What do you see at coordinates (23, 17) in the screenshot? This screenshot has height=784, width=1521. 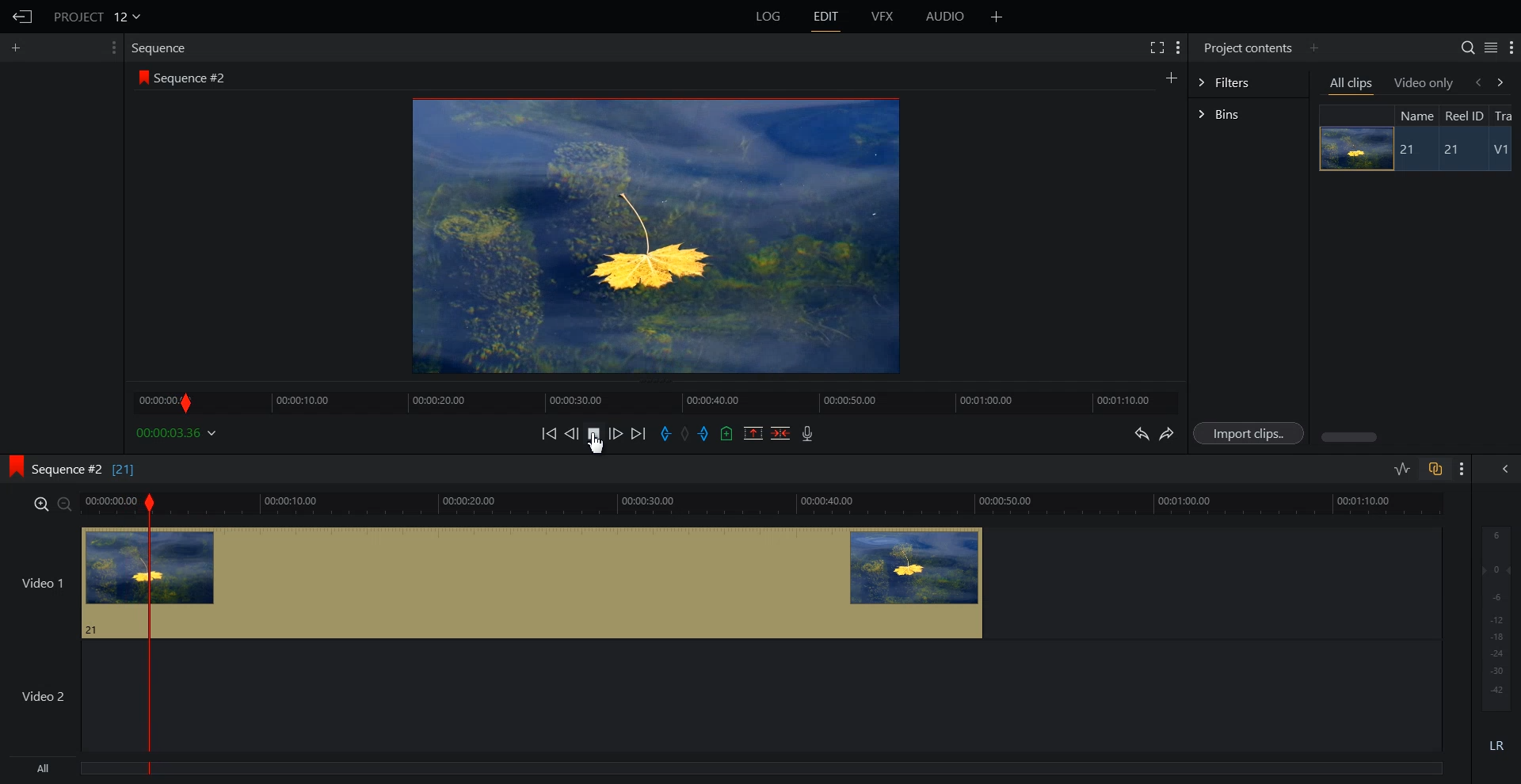 I see `Go Back` at bounding box center [23, 17].